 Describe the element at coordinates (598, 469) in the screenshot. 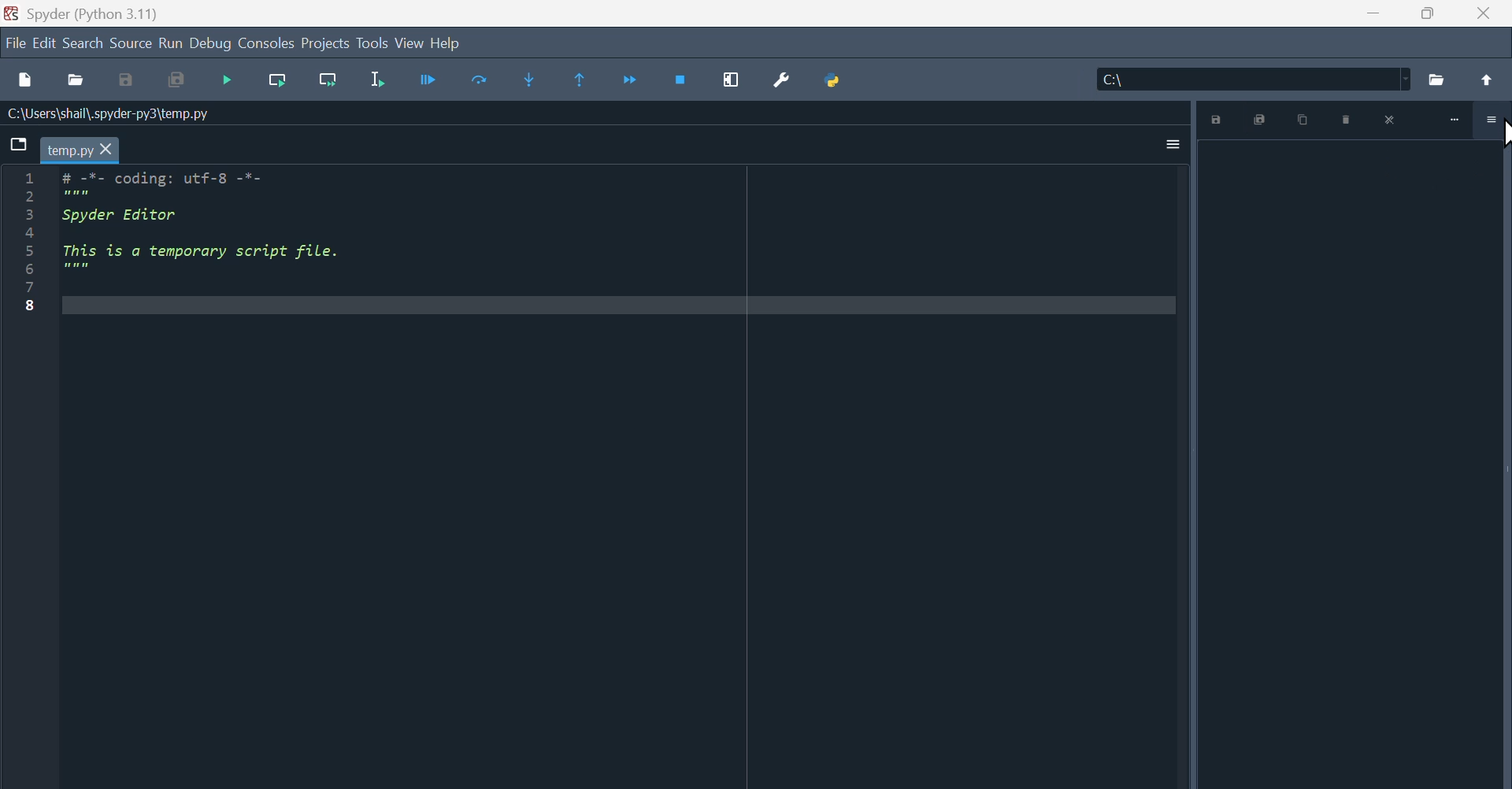

I see `# -*- coding: utf-8 -*- """ Spyder Editor  This is a temporary script file. """` at that location.